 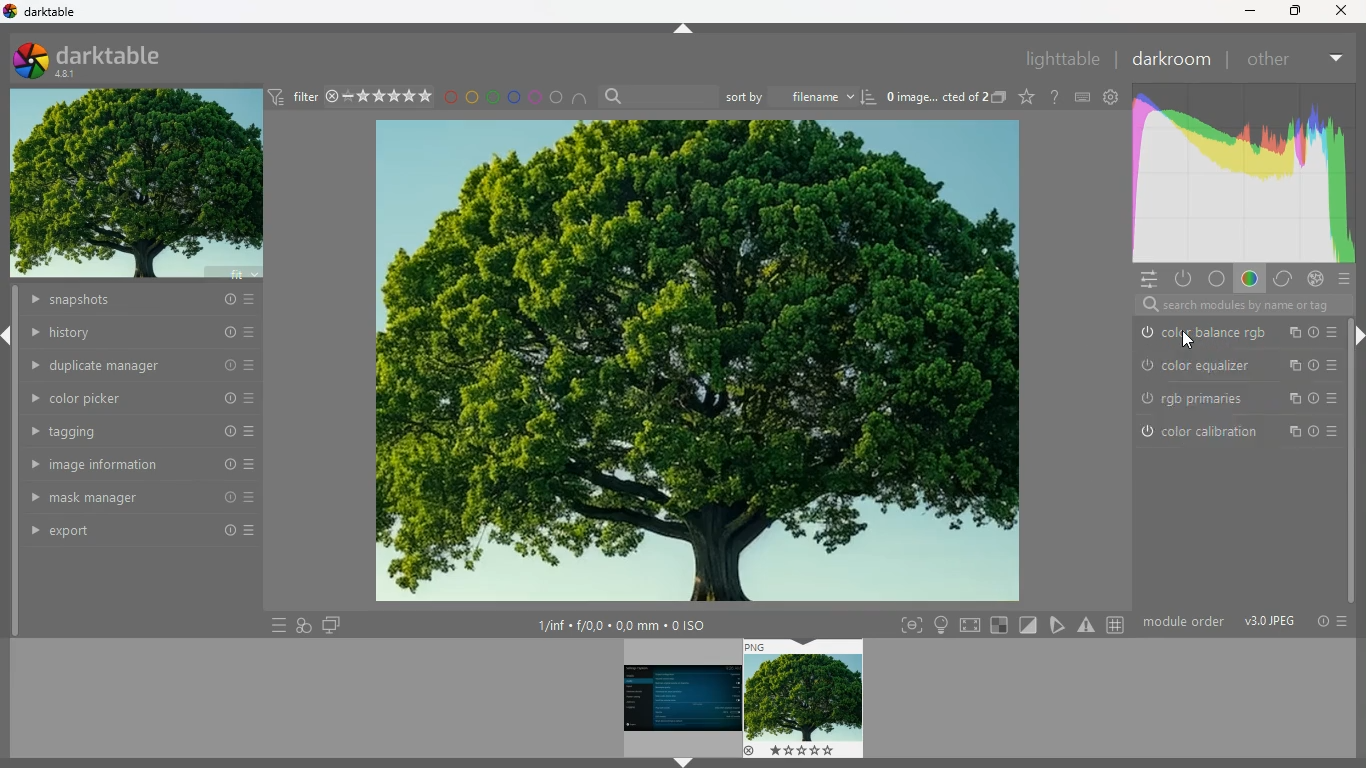 I want to click on star, so click(x=1027, y=97).